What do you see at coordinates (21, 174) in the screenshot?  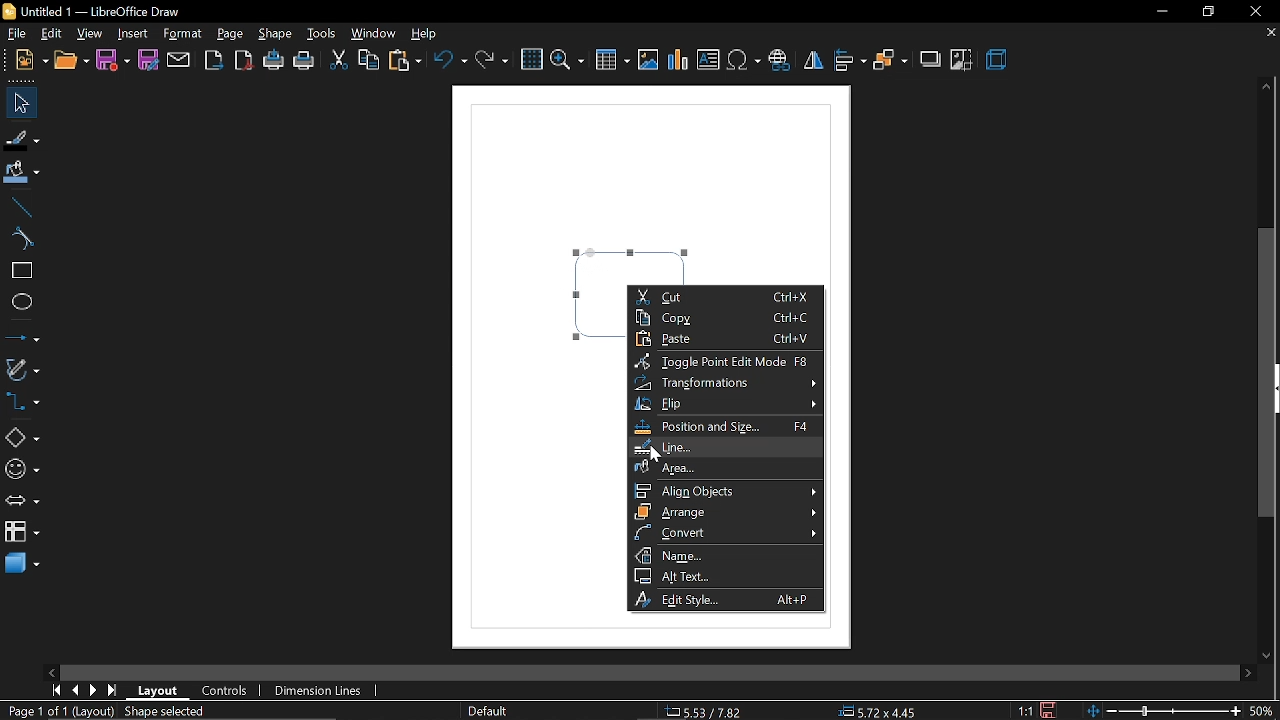 I see `fill color` at bounding box center [21, 174].